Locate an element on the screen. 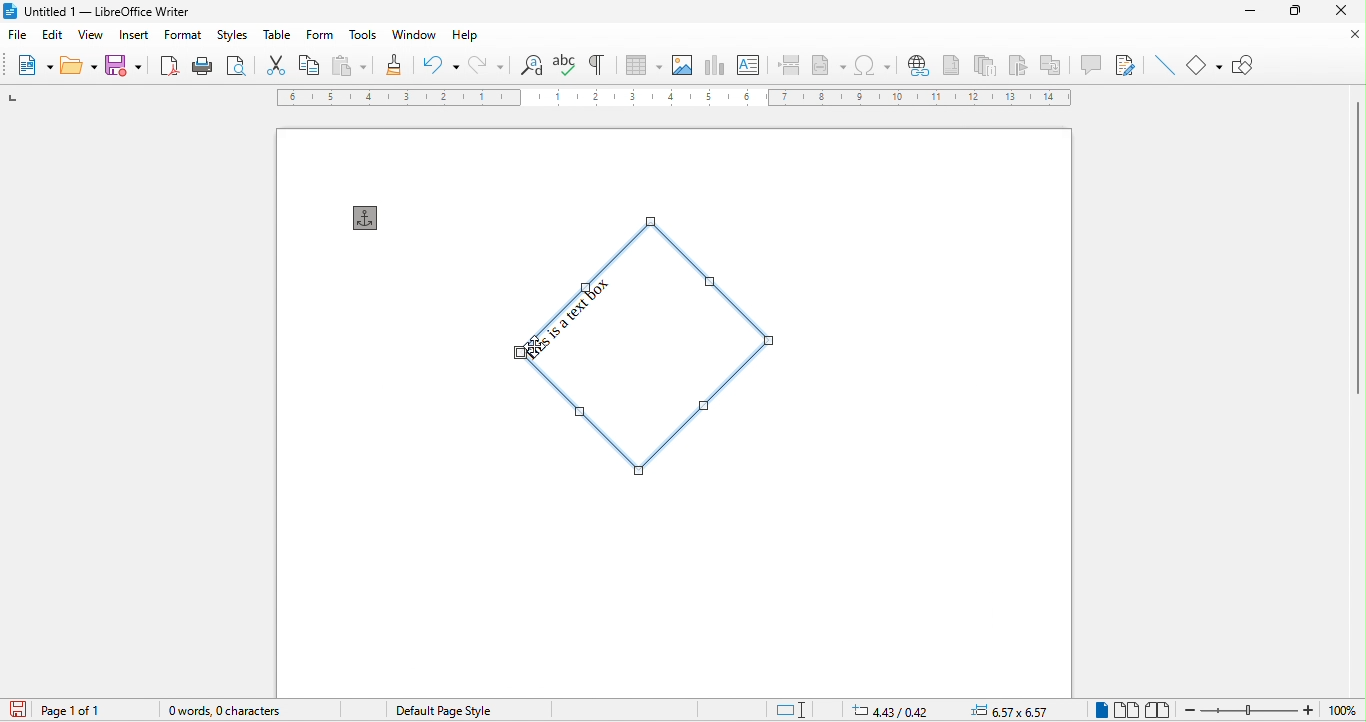 The image size is (1366, 722). cut is located at coordinates (278, 66).